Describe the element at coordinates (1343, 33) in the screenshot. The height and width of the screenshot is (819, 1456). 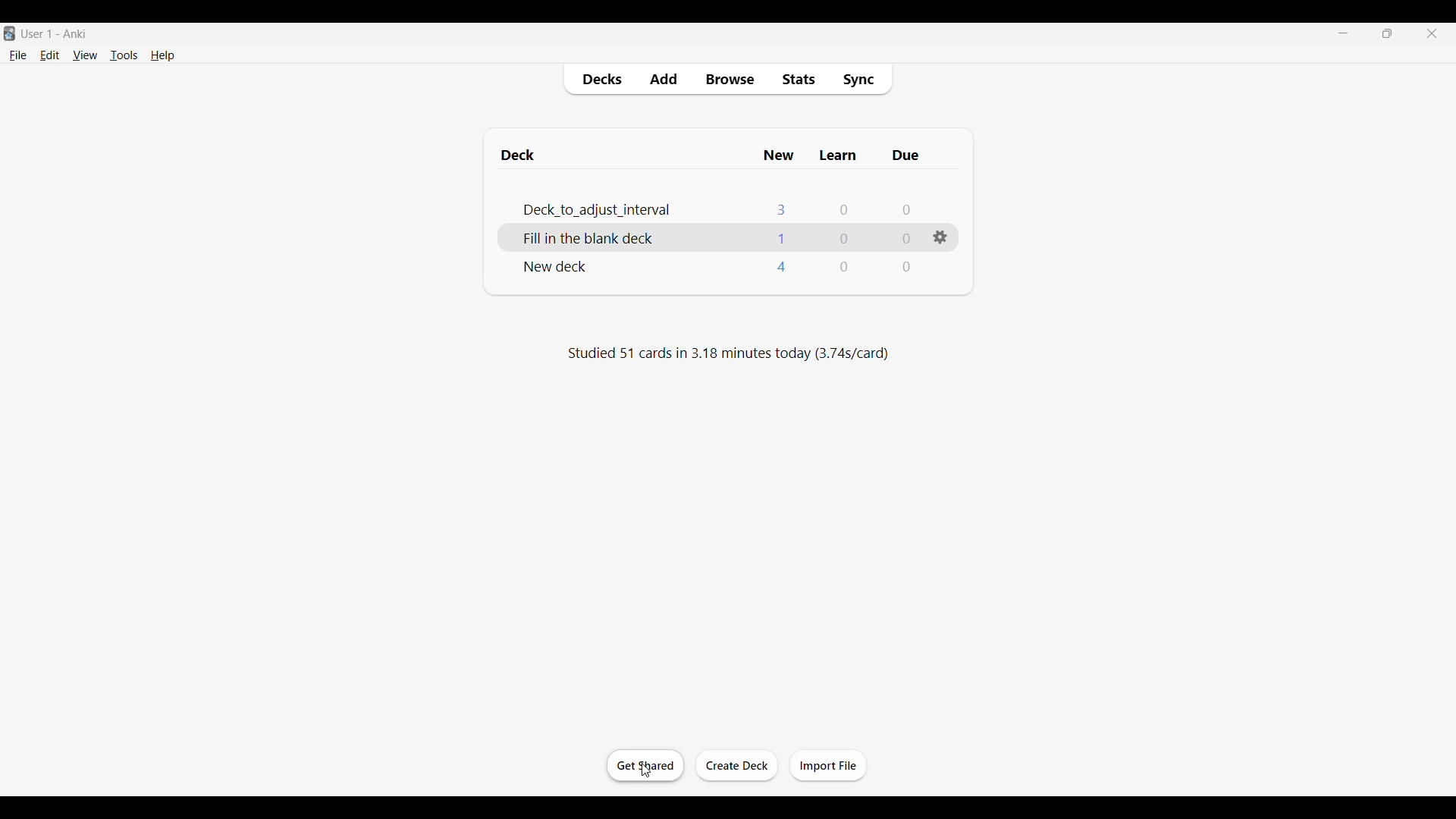
I see `Minimize` at that location.